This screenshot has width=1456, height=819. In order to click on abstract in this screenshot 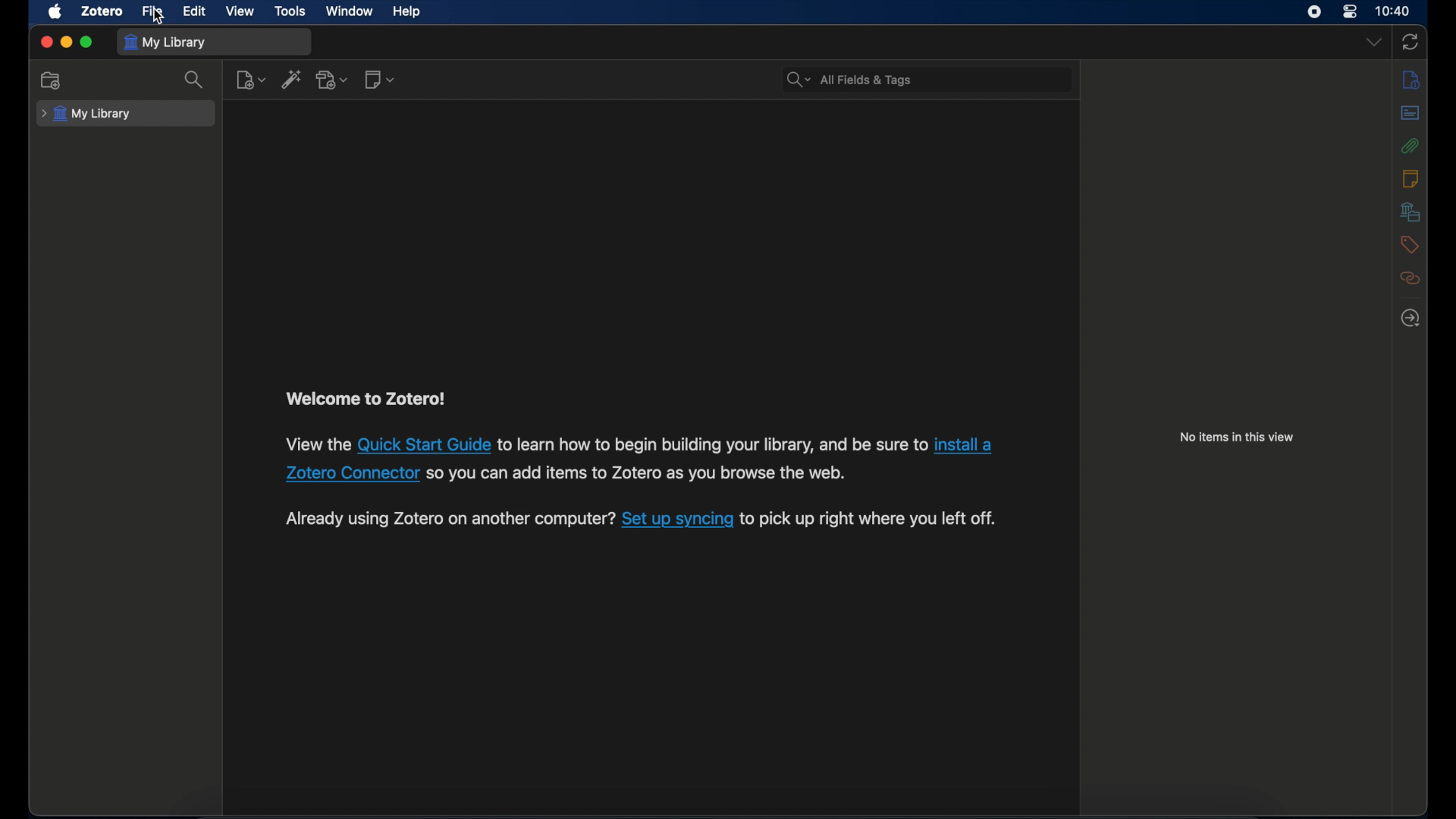, I will do `click(1410, 113)`.